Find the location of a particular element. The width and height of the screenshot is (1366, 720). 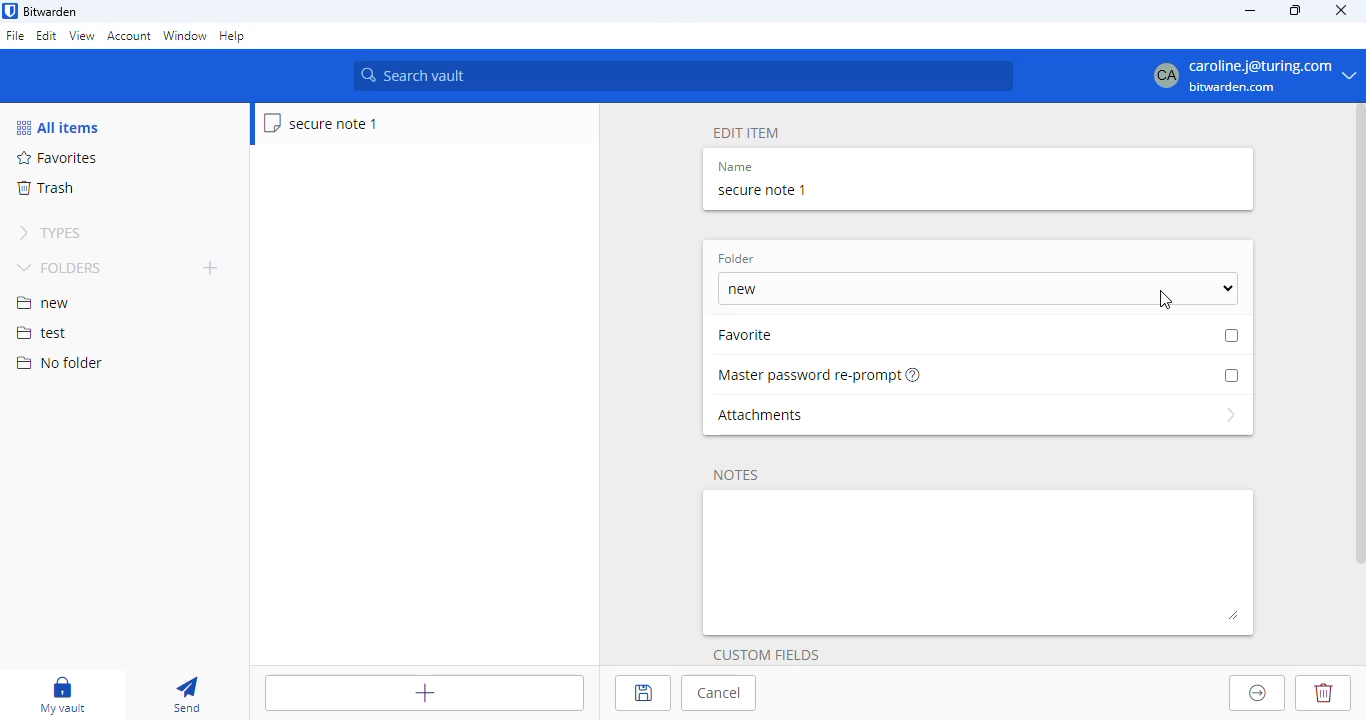

my vault is located at coordinates (62, 695).